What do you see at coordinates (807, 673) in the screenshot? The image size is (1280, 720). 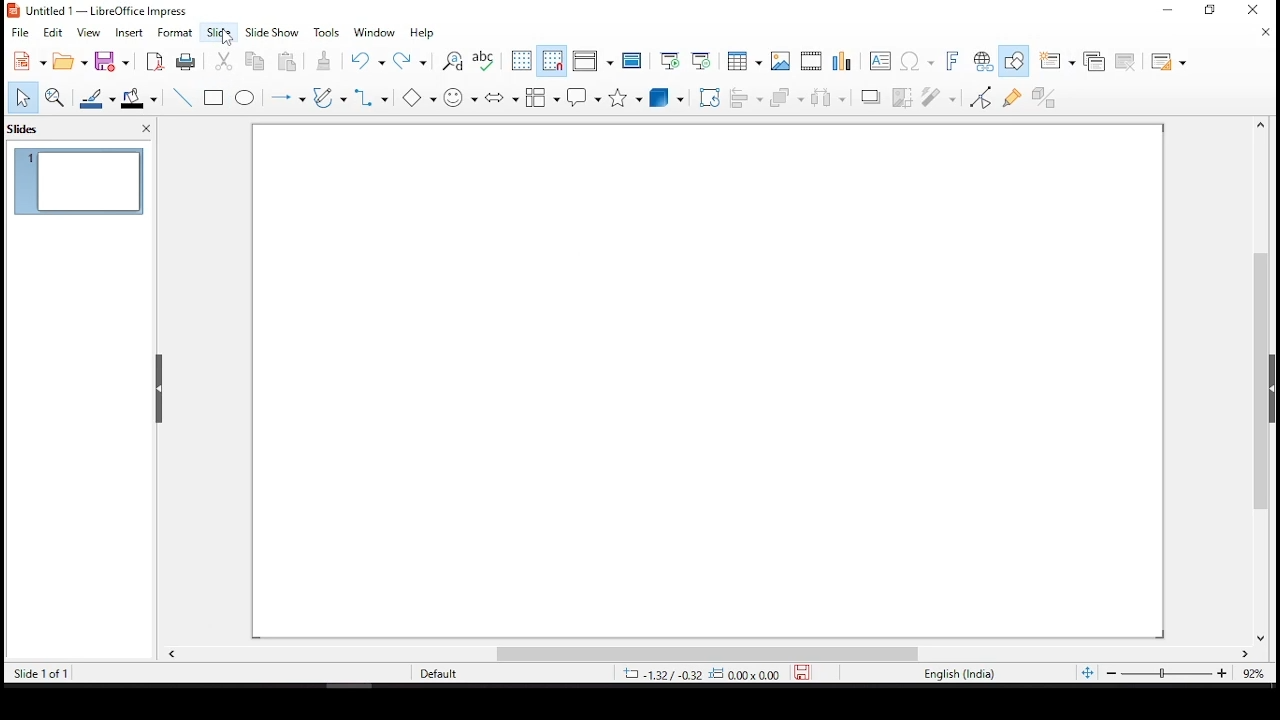 I see `save` at bounding box center [807, 673].